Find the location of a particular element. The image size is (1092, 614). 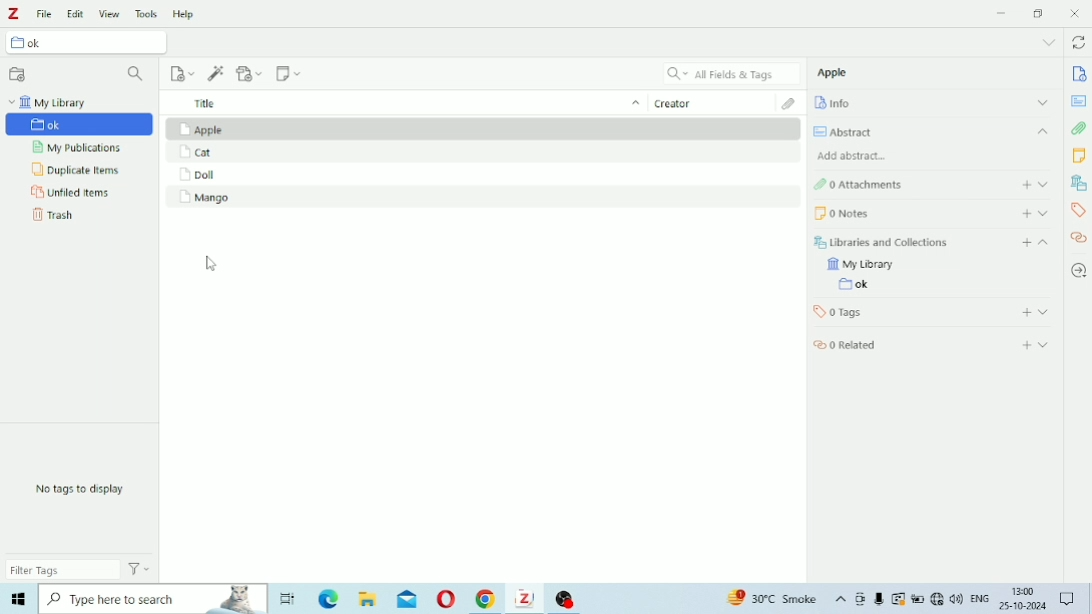

Add is located at coordinates (1027, 345).